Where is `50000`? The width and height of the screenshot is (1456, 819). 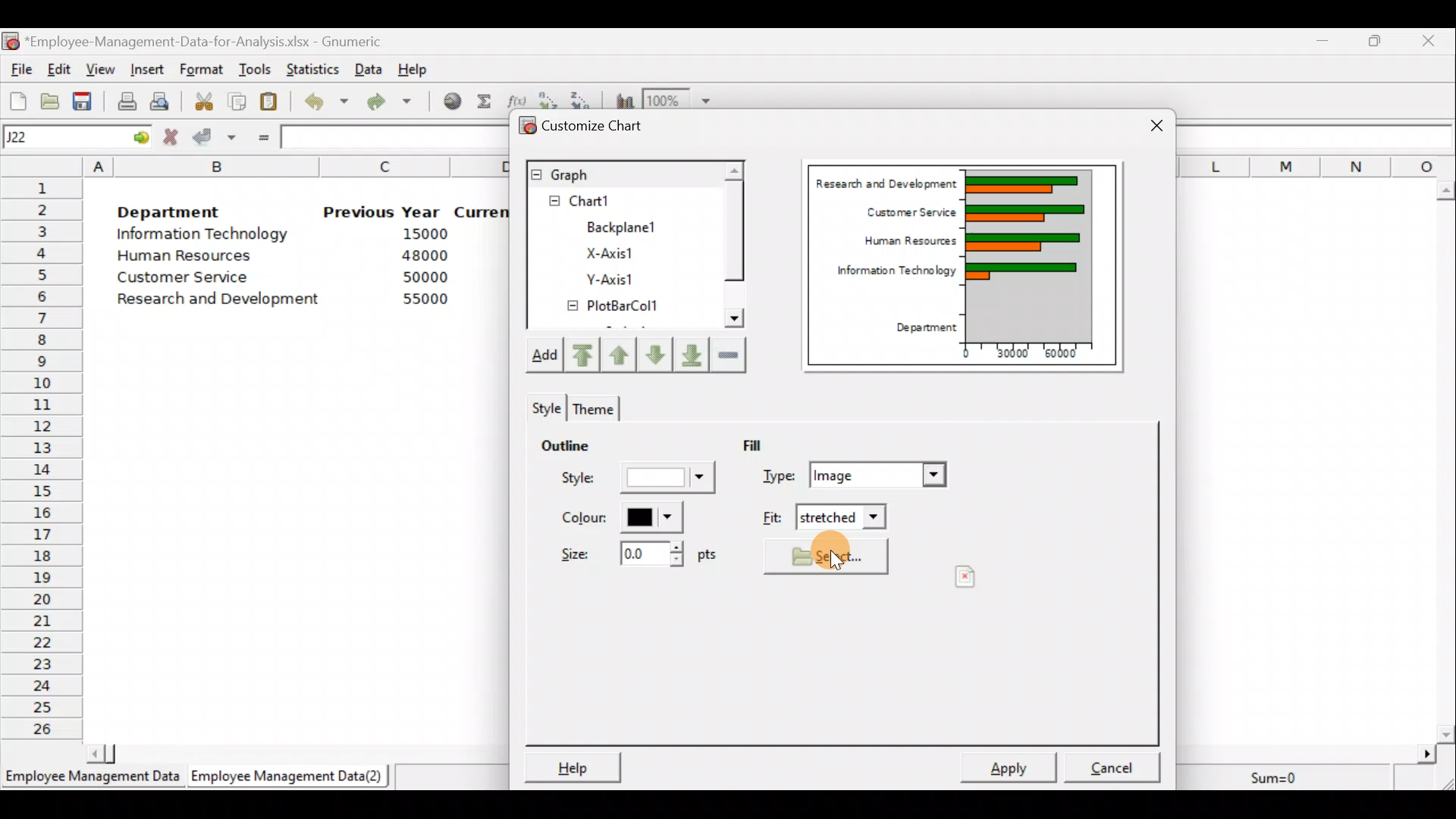
50000 is located at coordinates (422, 277).